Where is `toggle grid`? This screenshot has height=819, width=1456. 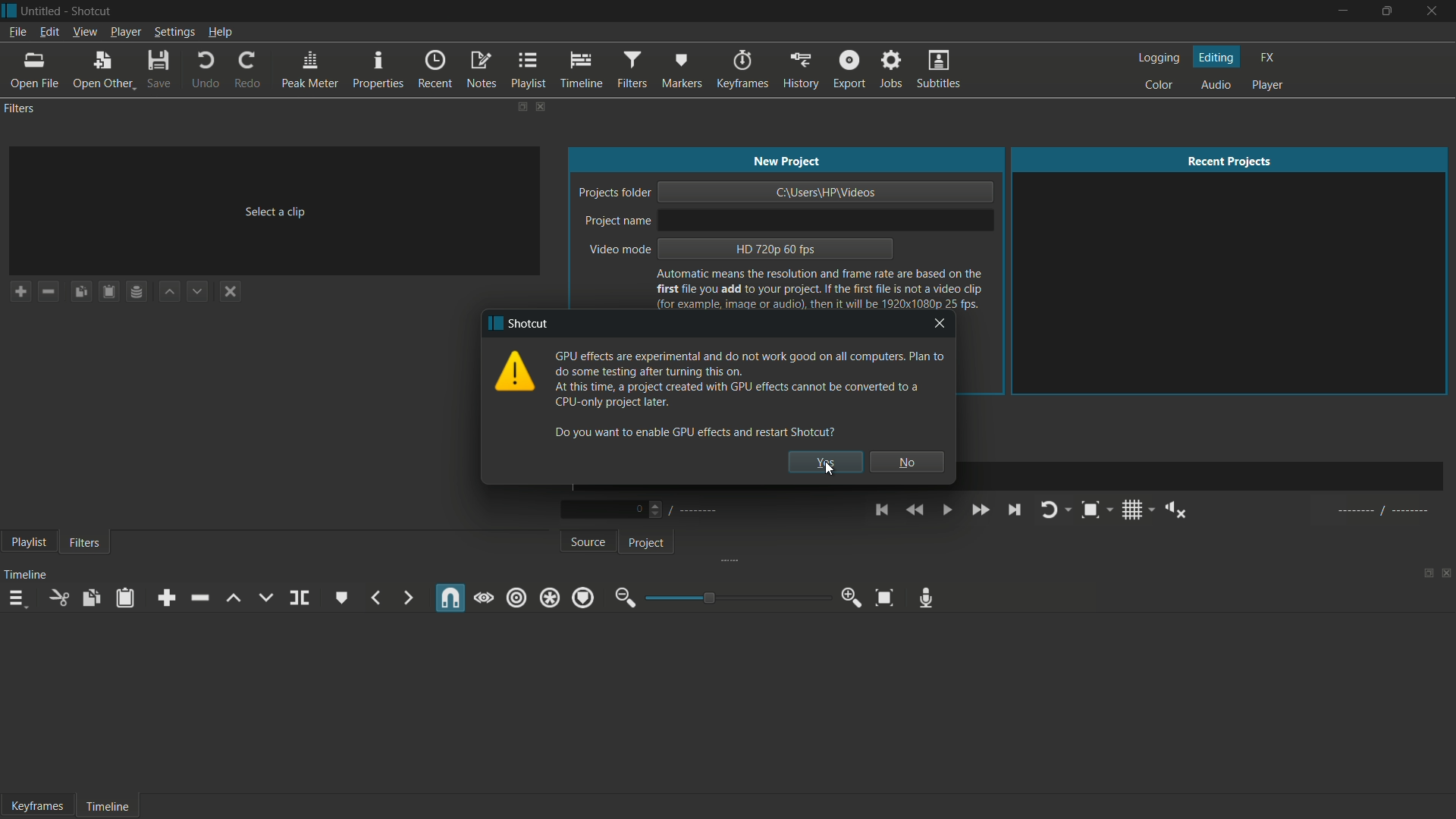 toggle grid is located at coordinates (1132, 510).